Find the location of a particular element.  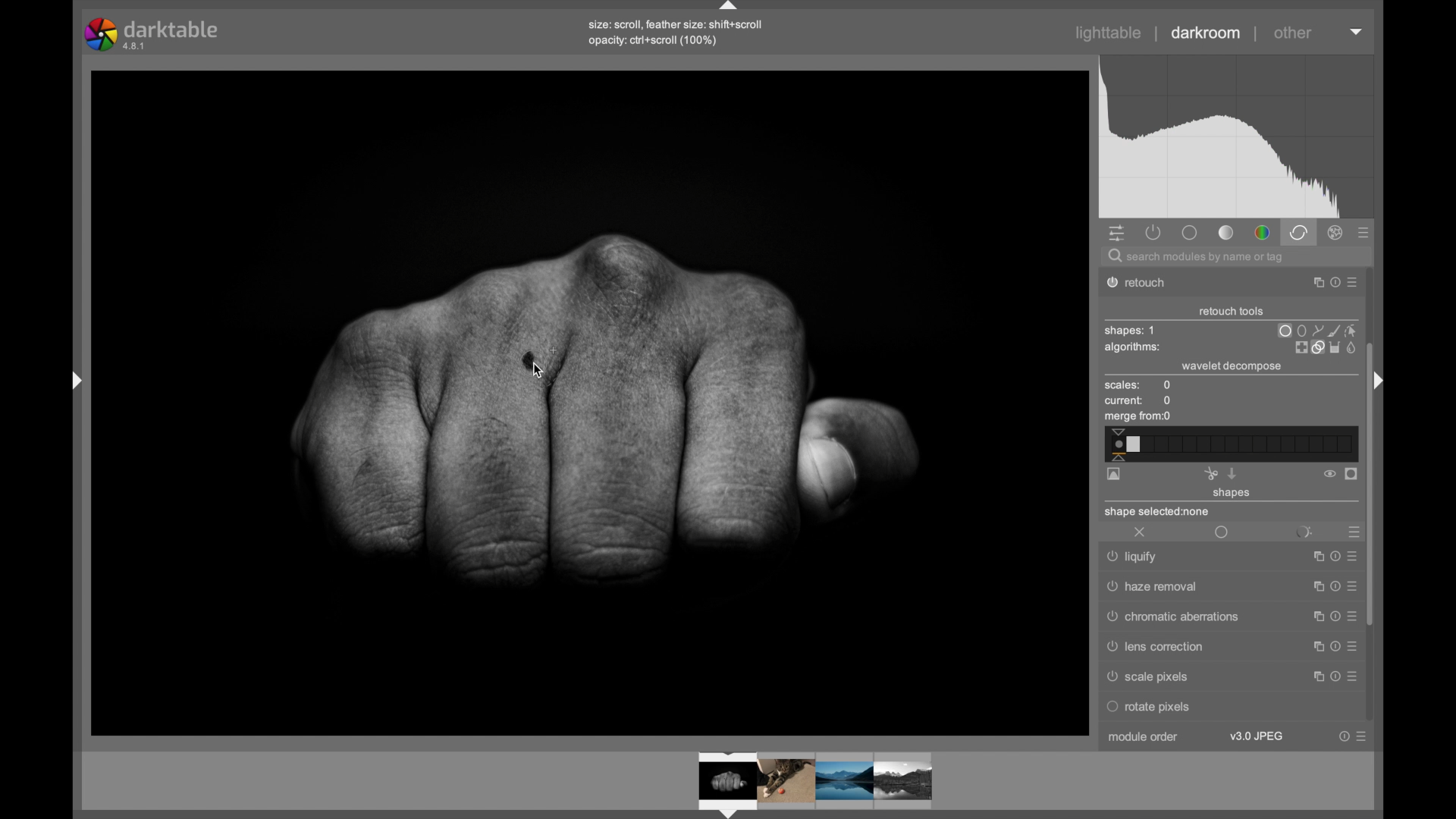

image peview is located at coordinates (800, 783).